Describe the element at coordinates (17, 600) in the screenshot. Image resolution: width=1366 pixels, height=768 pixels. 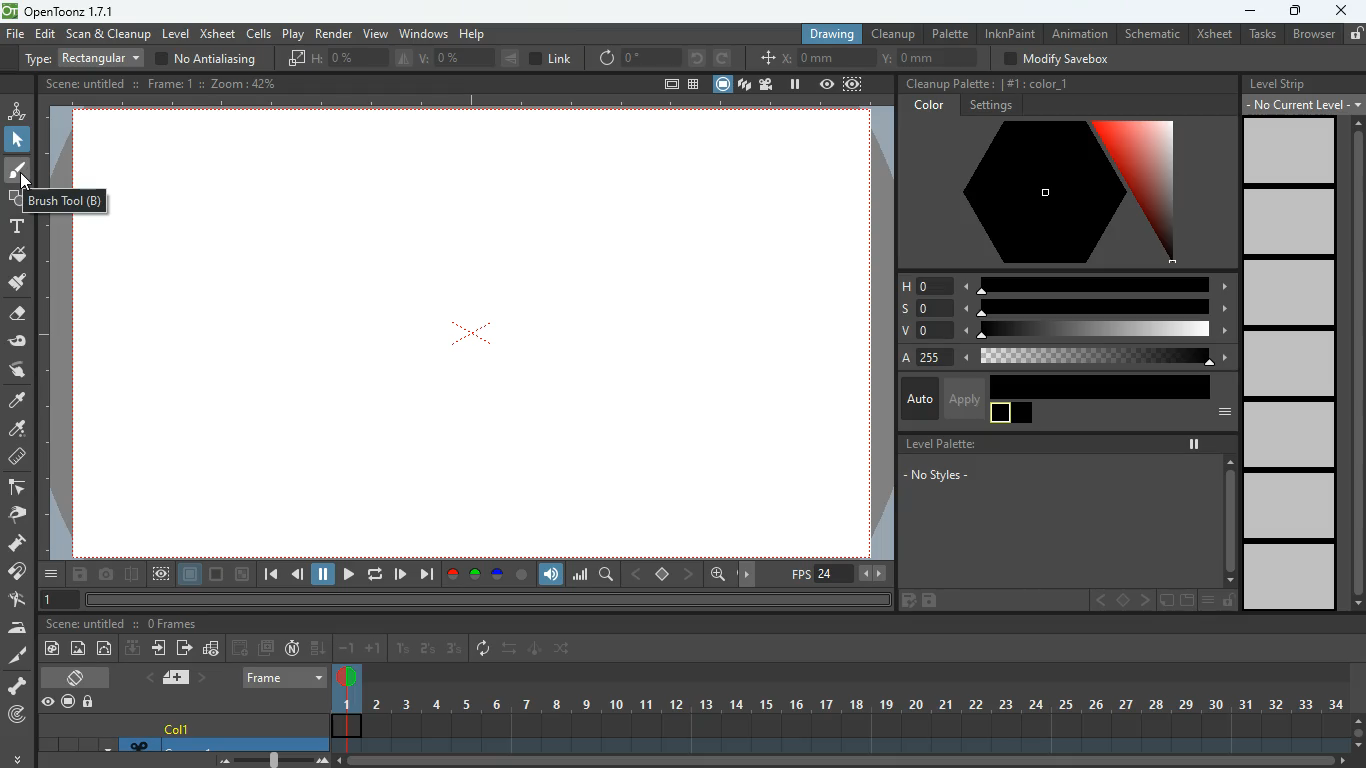
I see `edit` at that location.